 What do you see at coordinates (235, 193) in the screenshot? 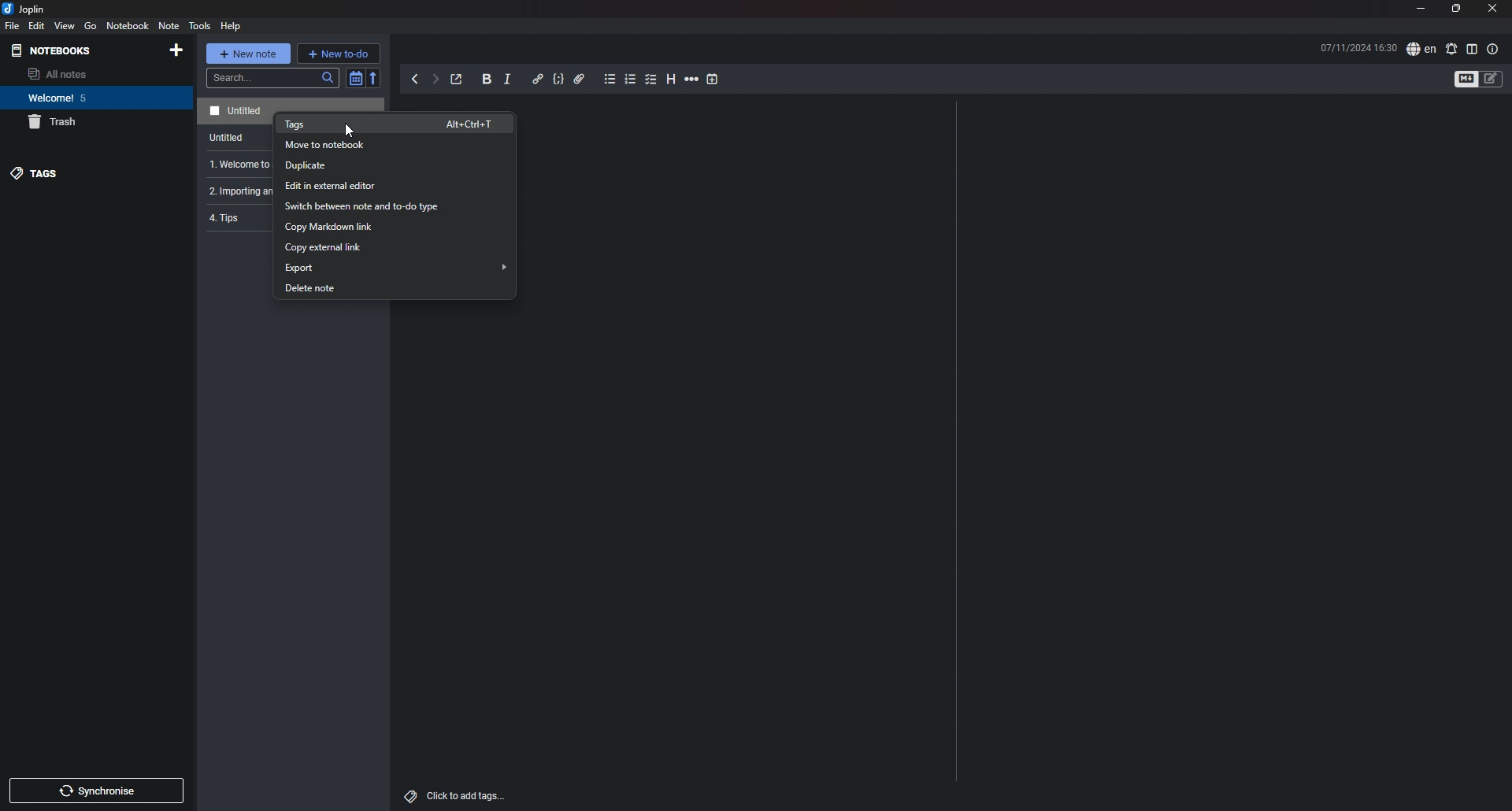
I see `2. Importing an` at bounding box center [235, 193].